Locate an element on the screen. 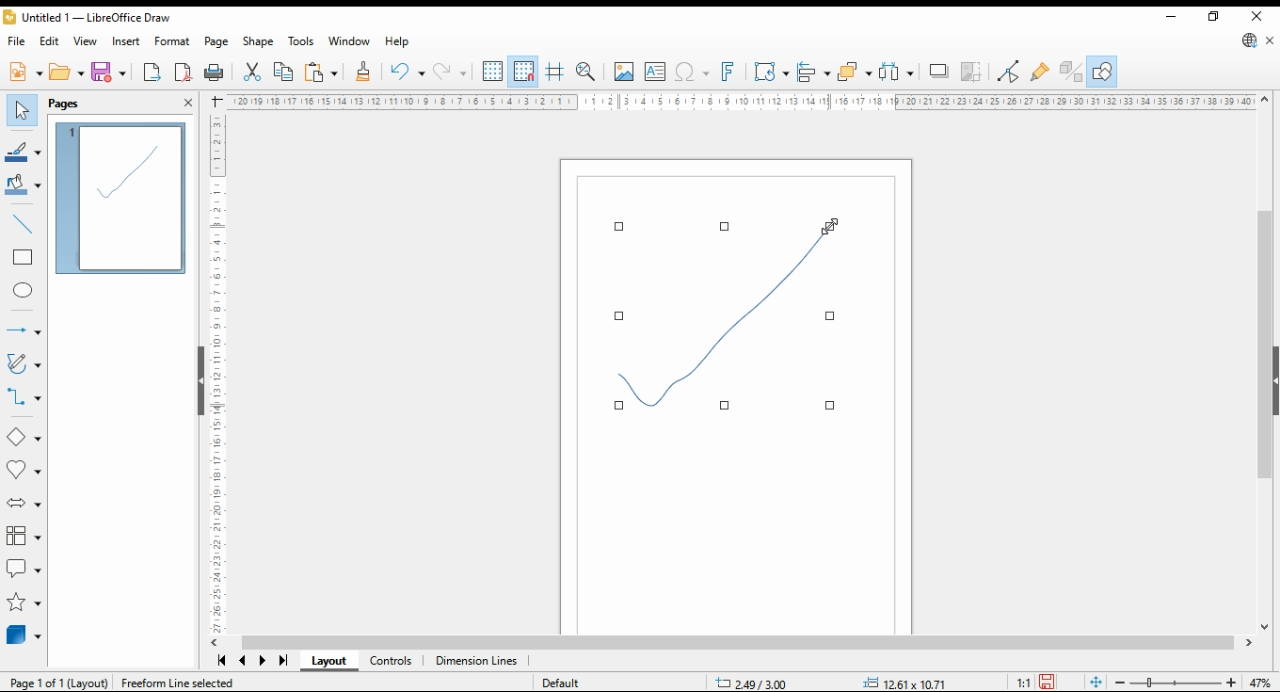 This screenshot has height=692, width=1280. open  is located at coordinates (66, 73).